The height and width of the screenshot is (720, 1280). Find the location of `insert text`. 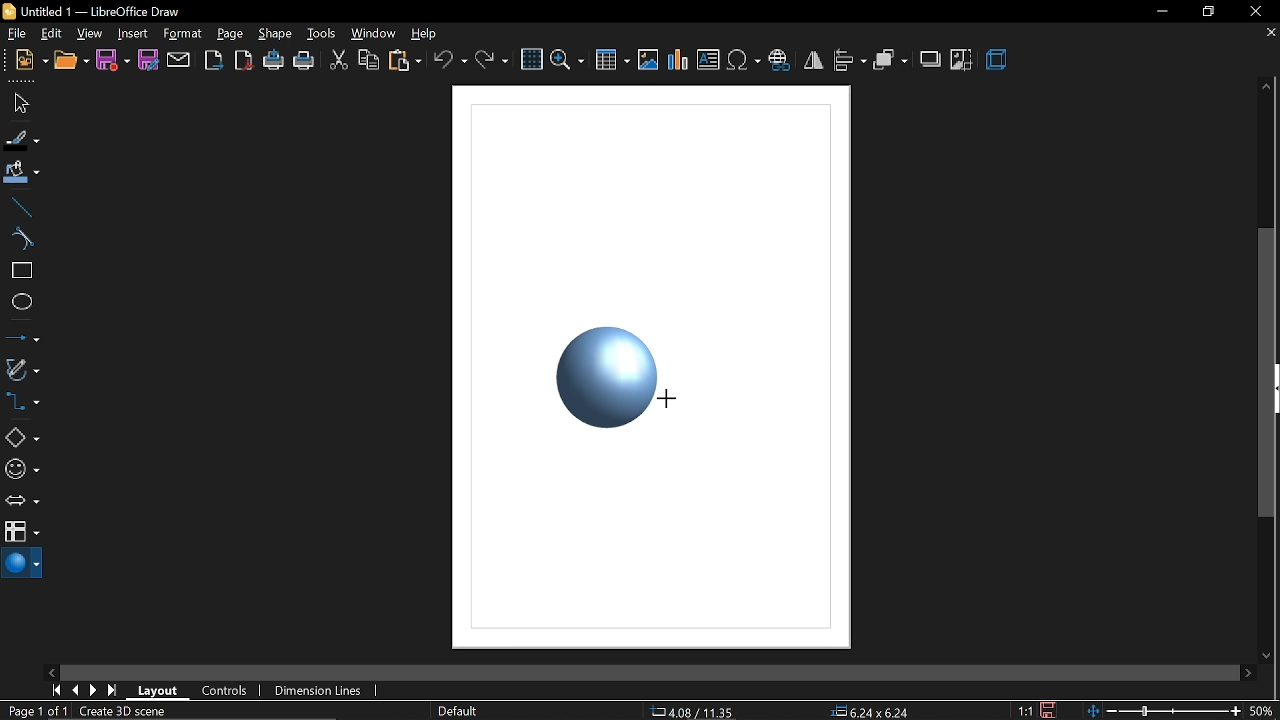

insert text is located at coordinates (708, 60).